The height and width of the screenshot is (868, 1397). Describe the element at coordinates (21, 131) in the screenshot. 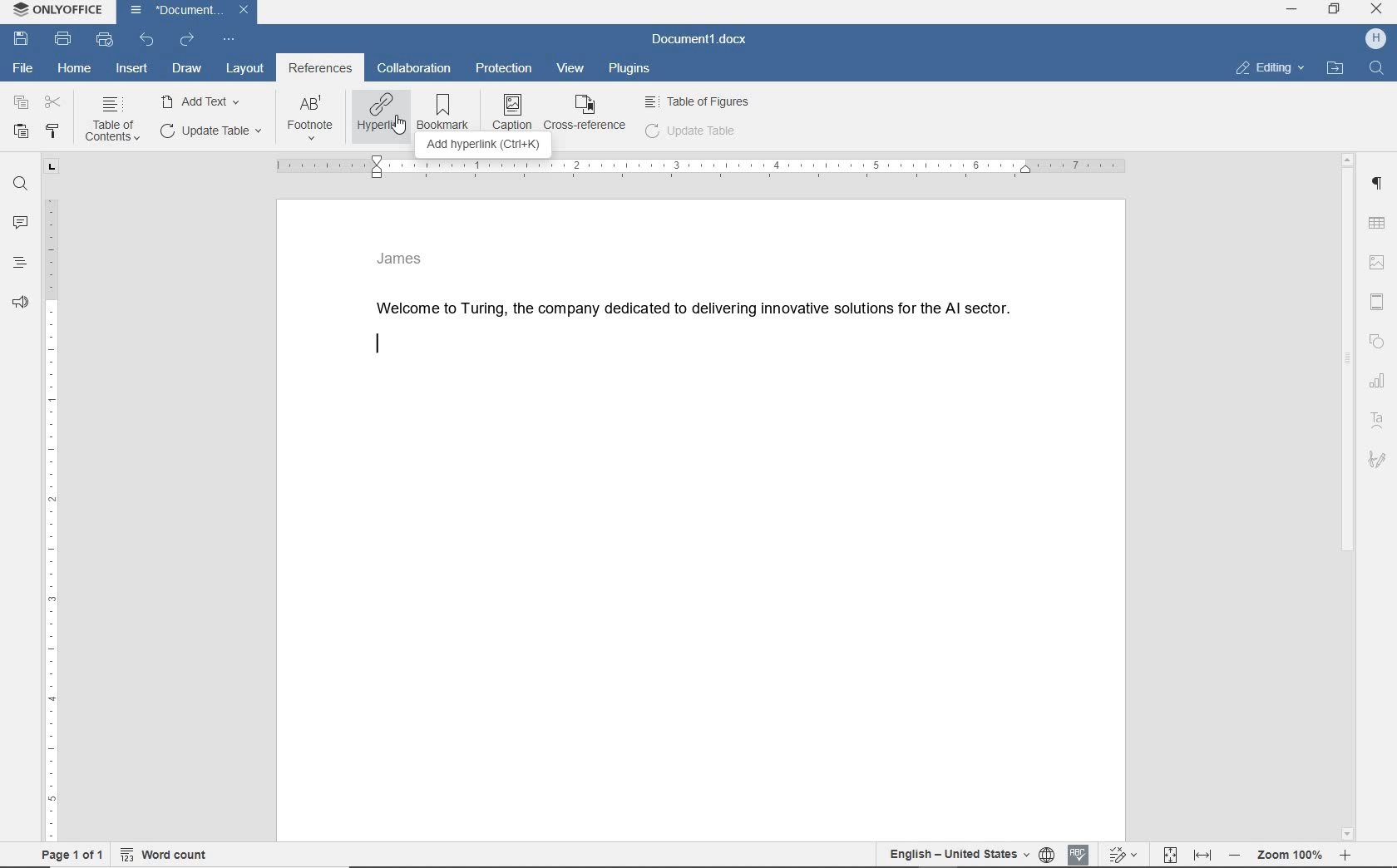

I see `paste` at that location.